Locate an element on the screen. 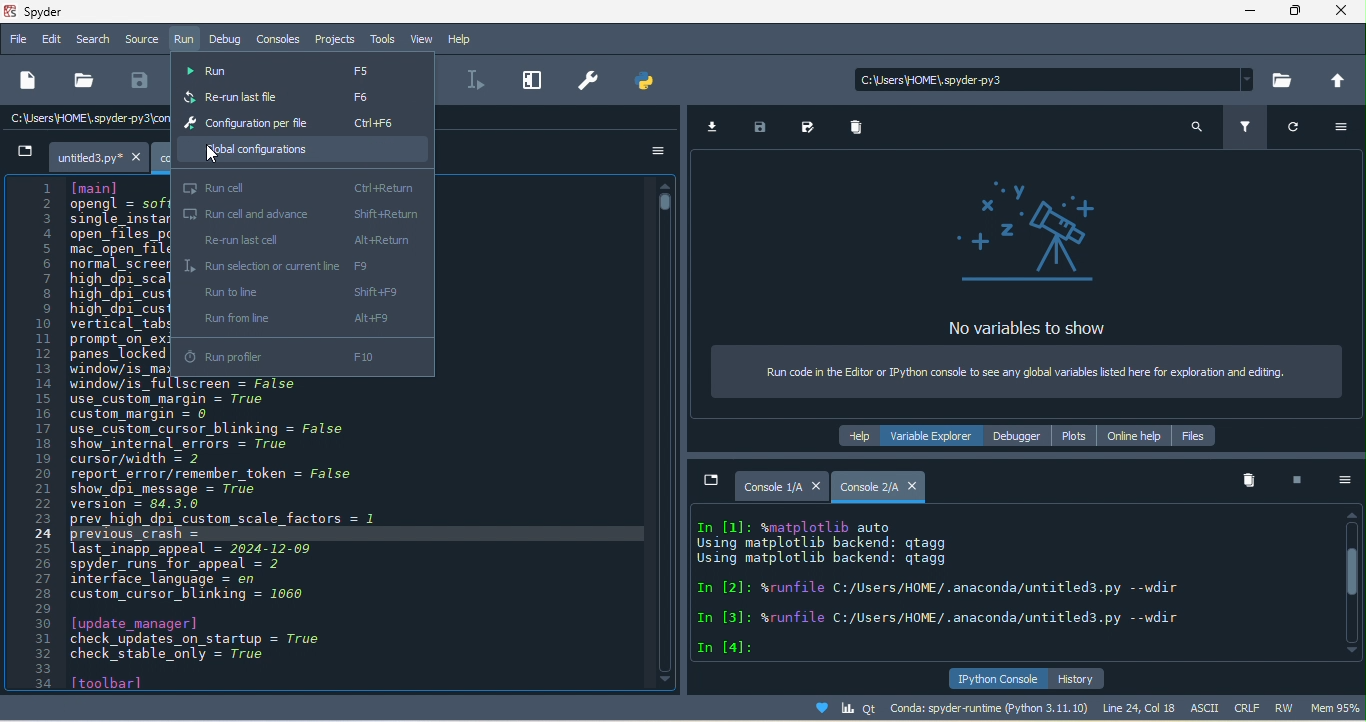 The width and height of the screenshot is (1366, 722). edit is located at coordinates (51, 41).